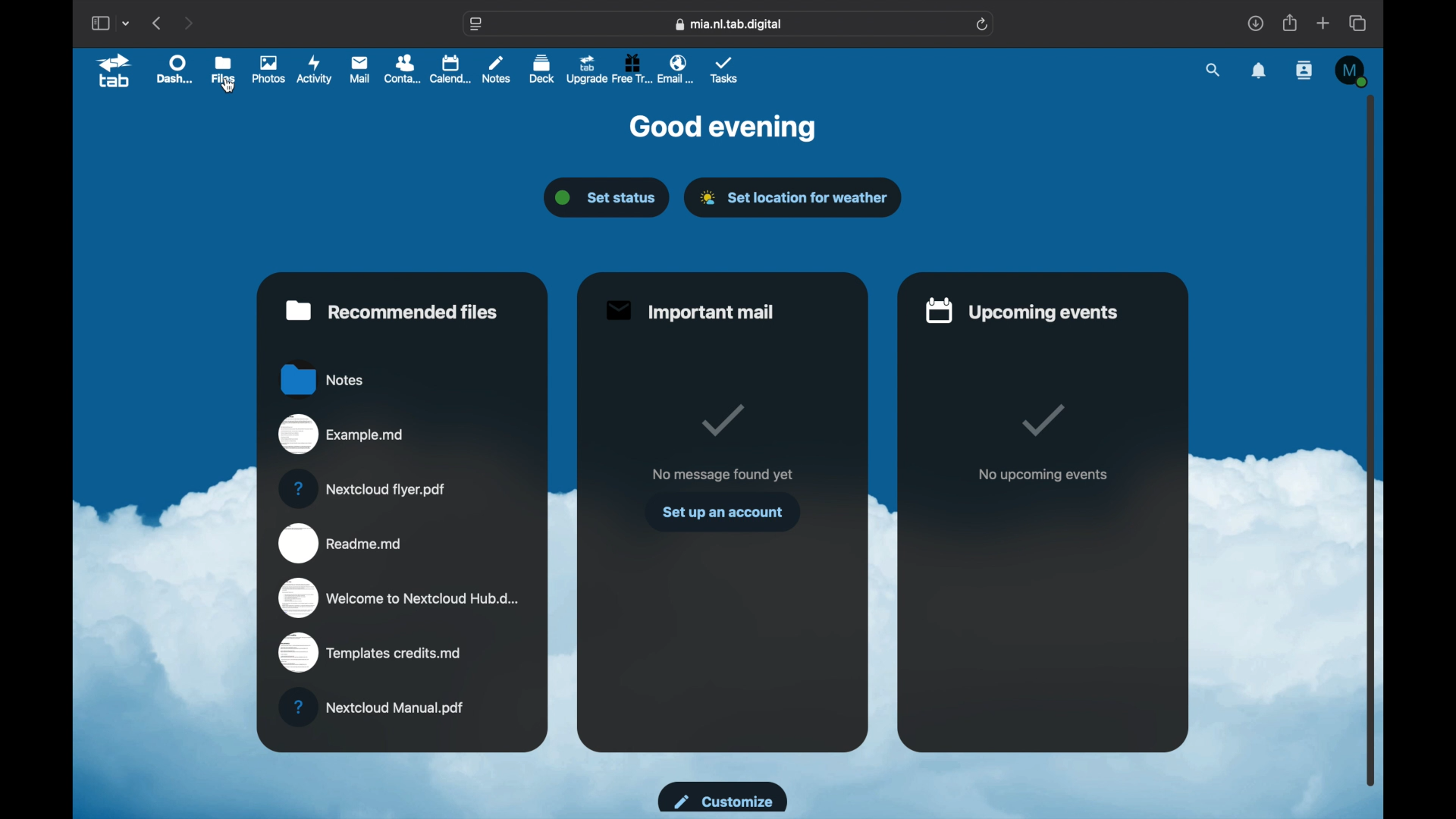 This screenshot has height=819, width=1456. What do you see at coordinates (401, 69) in the screenshot?
I see `contacts` at bounding box center [401, 69].